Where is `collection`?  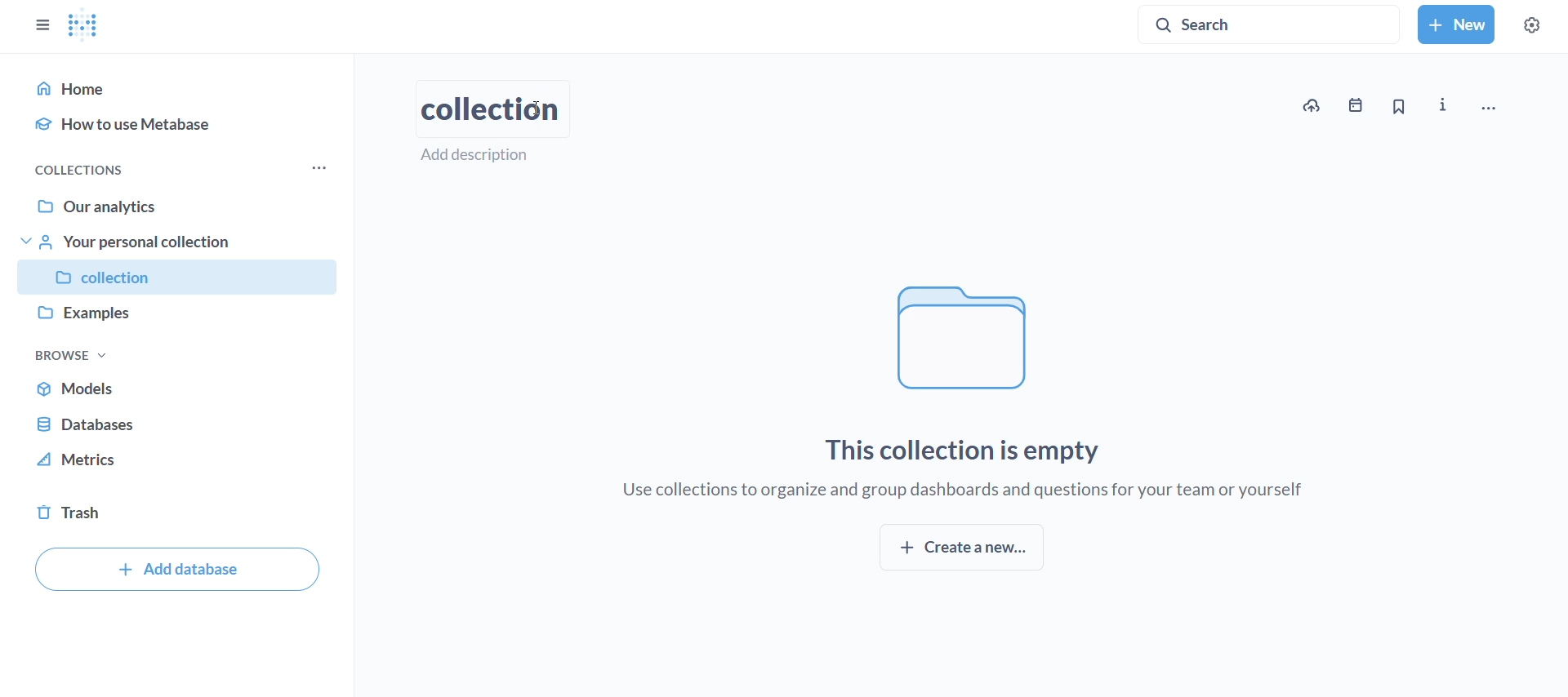
collection is located at coordinates (491, 108).